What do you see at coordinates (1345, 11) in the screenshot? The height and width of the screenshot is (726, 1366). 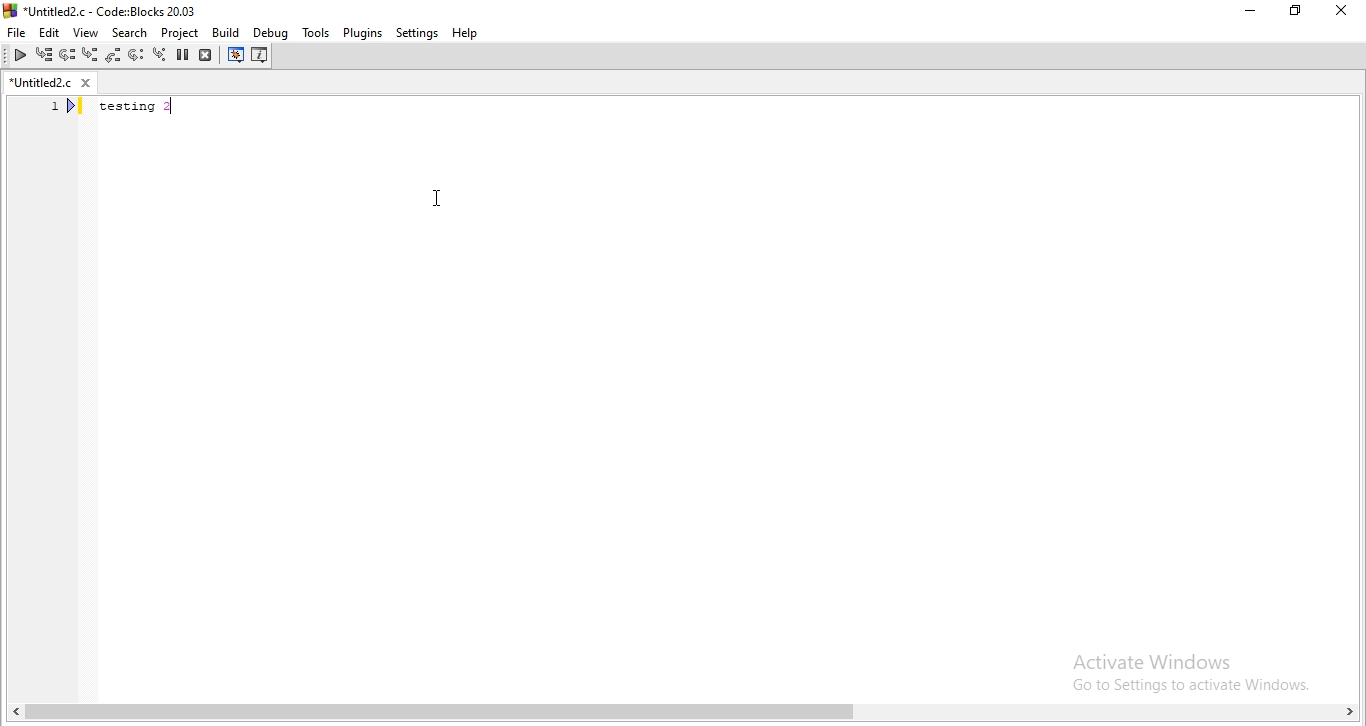 I see `close` at bounding box center [1345, 11].